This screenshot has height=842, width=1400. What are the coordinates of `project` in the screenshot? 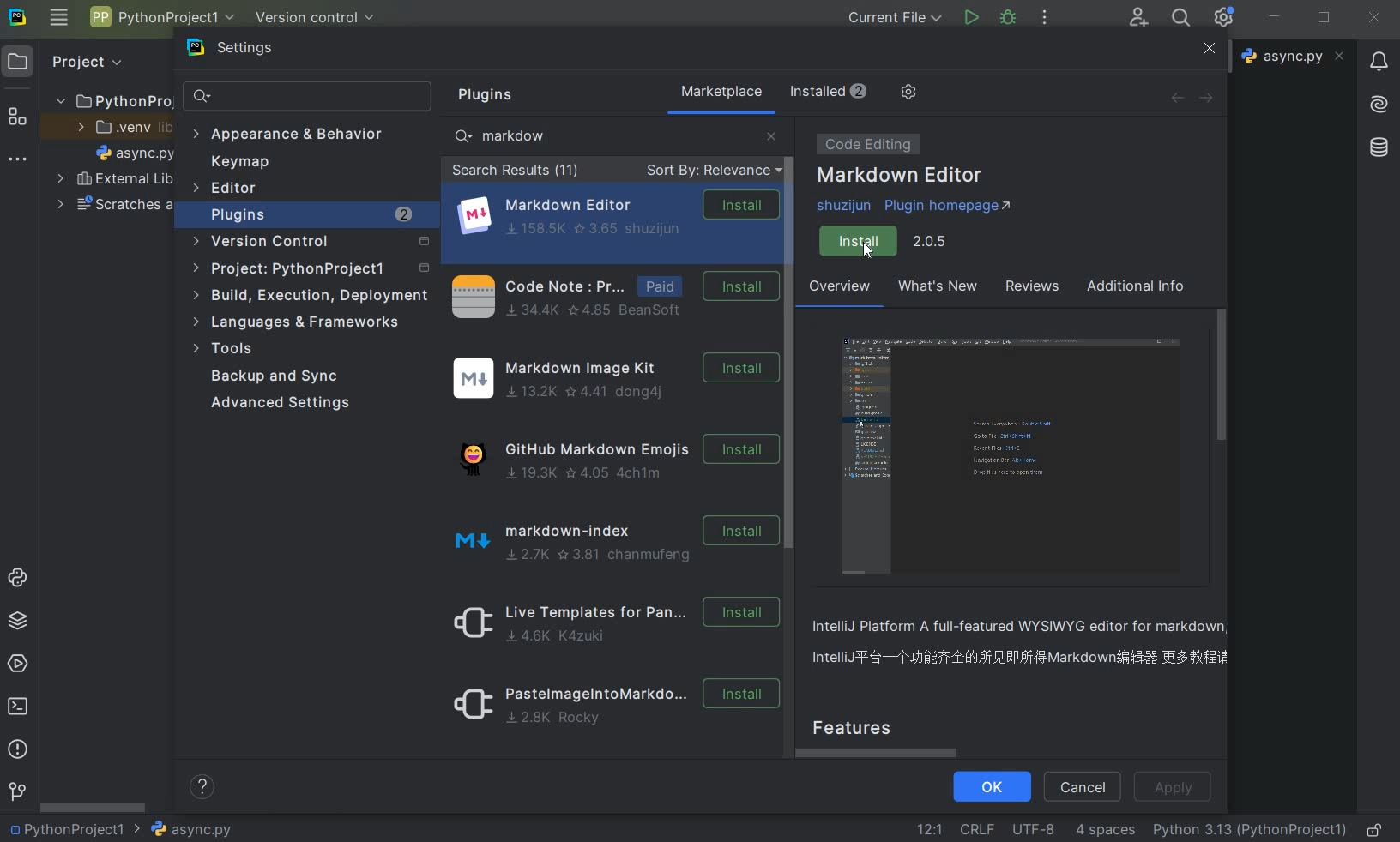 It's located at (309, 270).